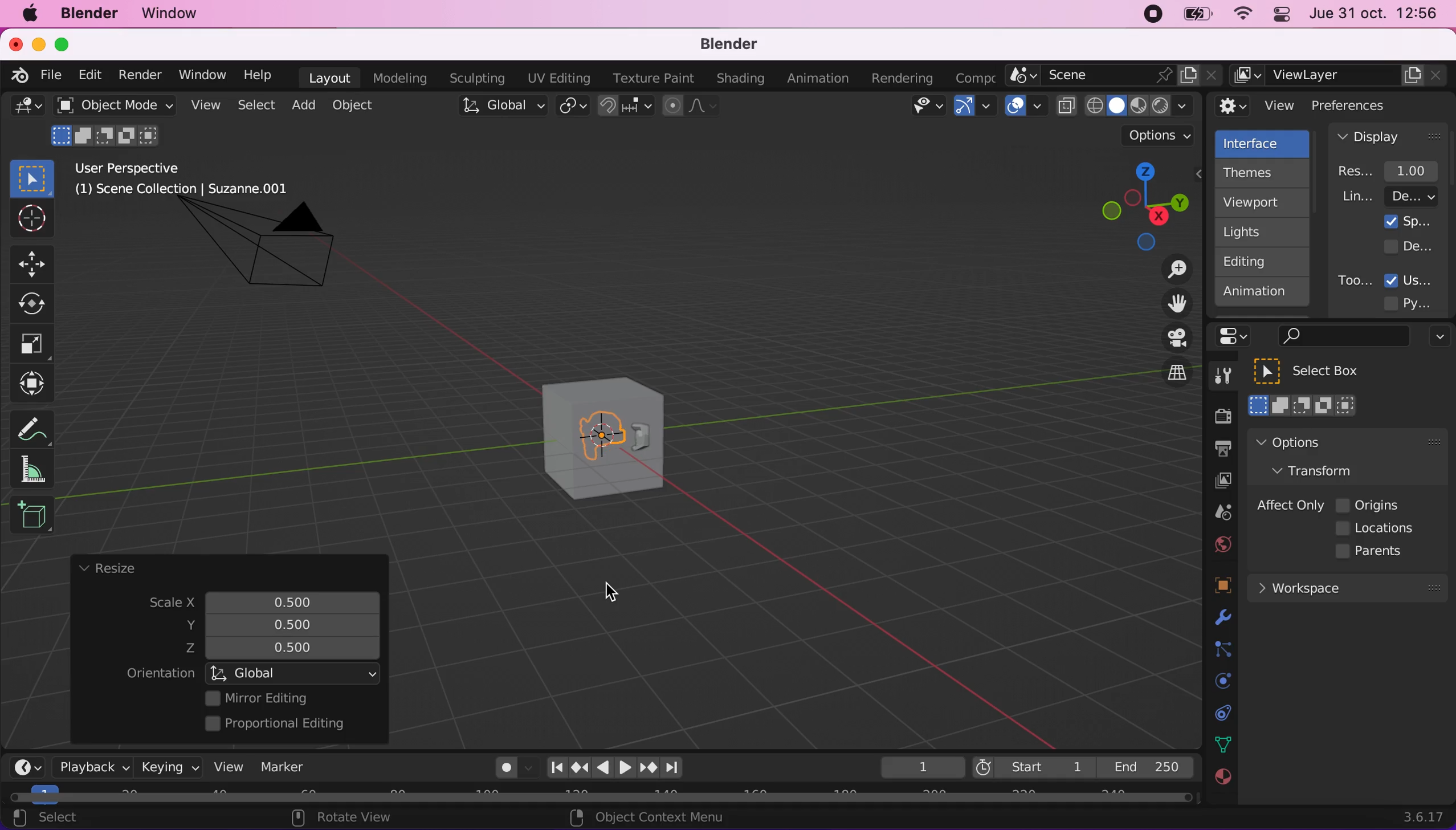 The width and height of the screenshot is (1456, 830). Describe the element at coordinates (68, 44) in the screenshot. I see `maximize` at that location.